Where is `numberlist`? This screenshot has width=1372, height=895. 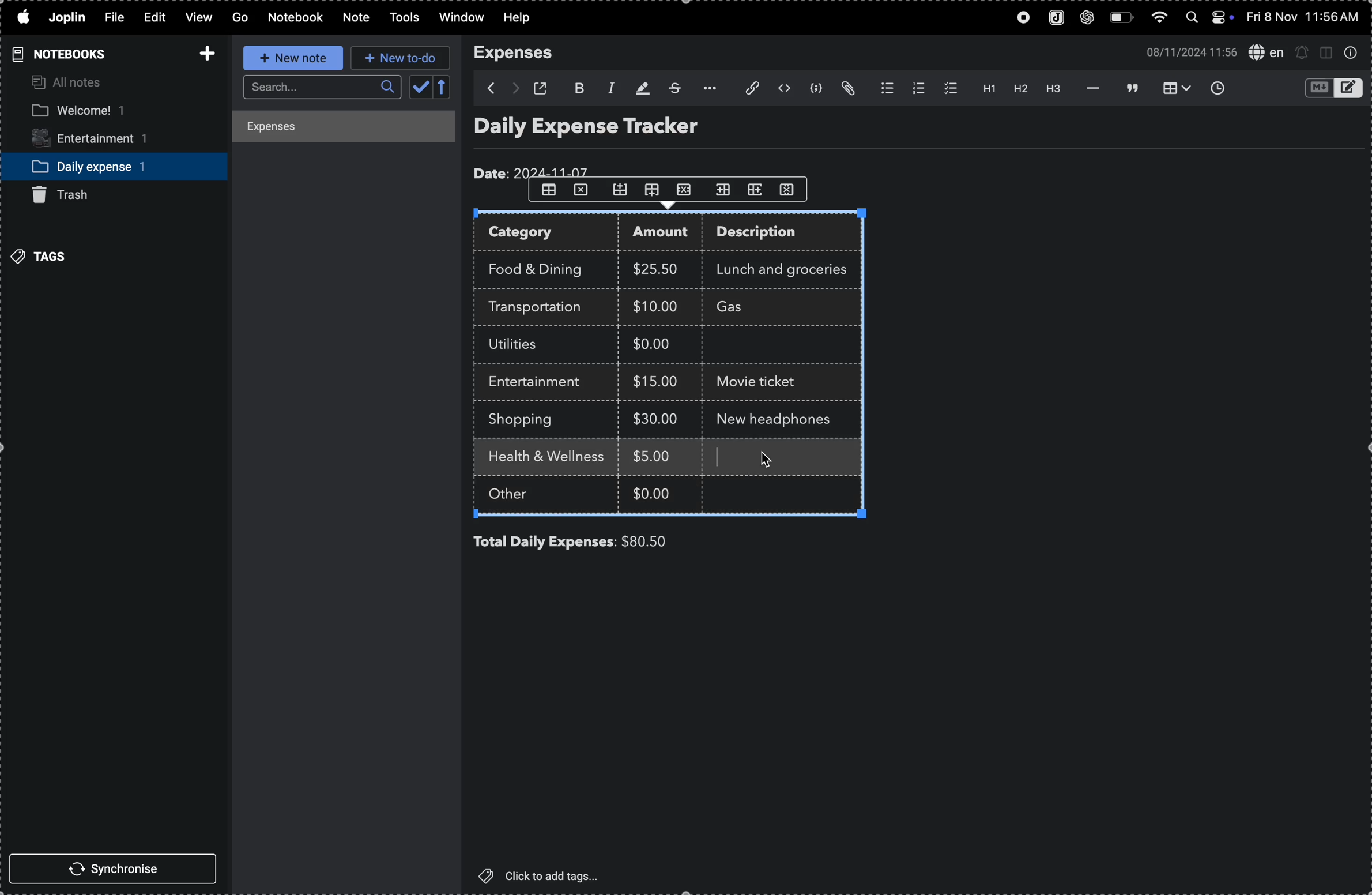
numberlist is located at coordinates (916, 88).